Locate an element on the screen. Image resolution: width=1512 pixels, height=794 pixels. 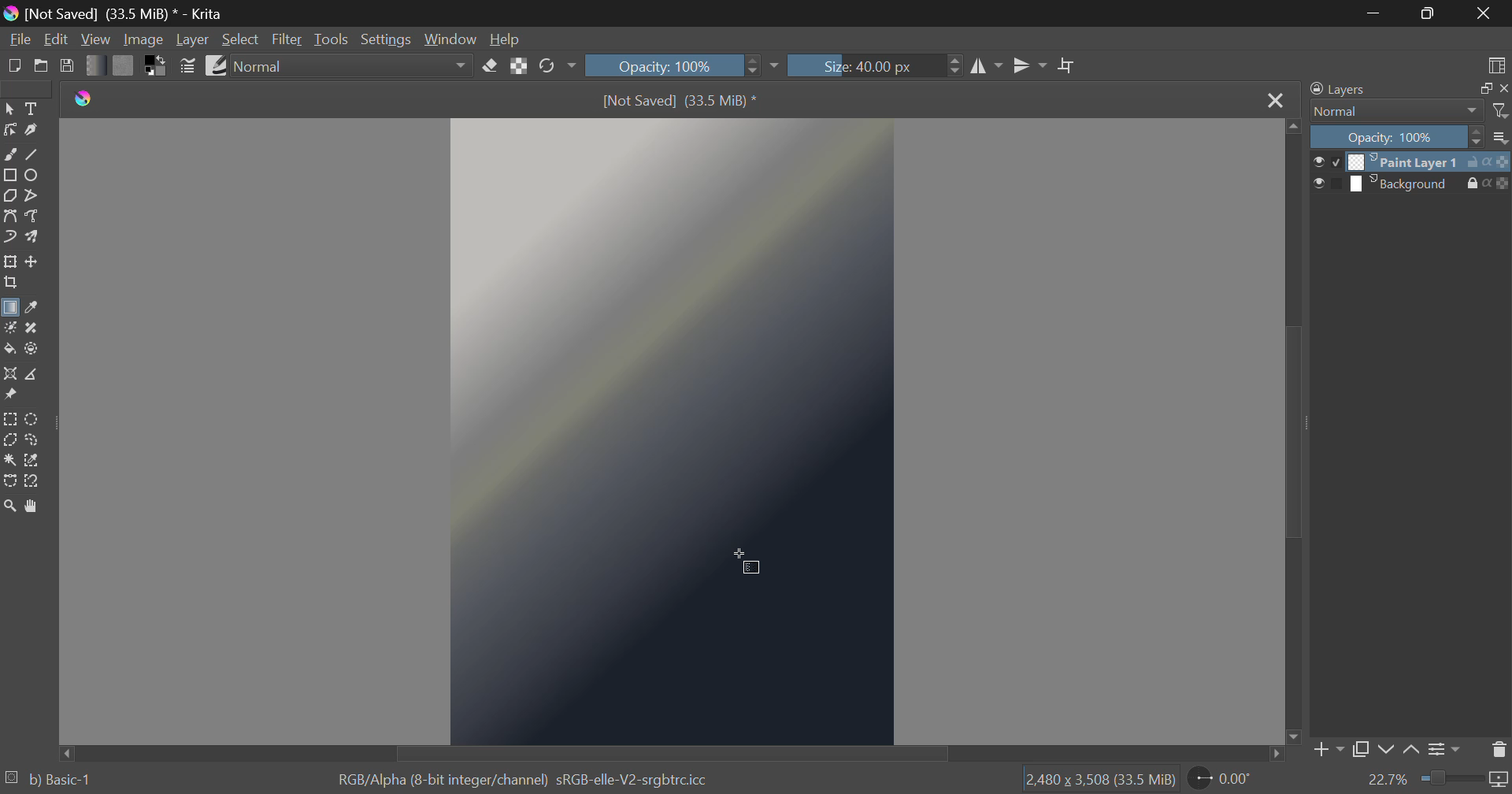
Circular Selection is located at coordinates (34, 419).